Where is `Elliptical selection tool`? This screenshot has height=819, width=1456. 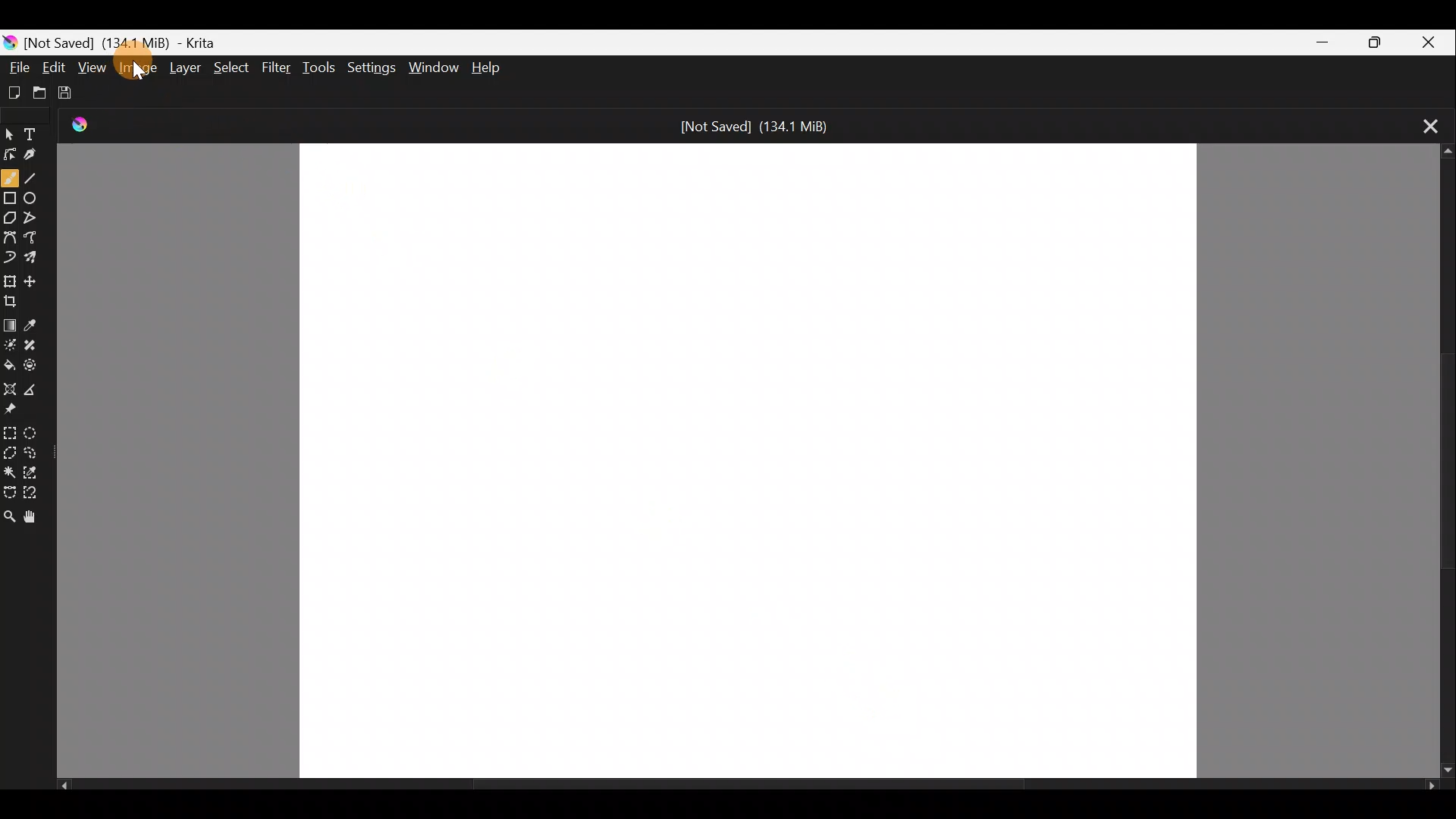
Elliptical selection tool is located at coordinates (36, 435).